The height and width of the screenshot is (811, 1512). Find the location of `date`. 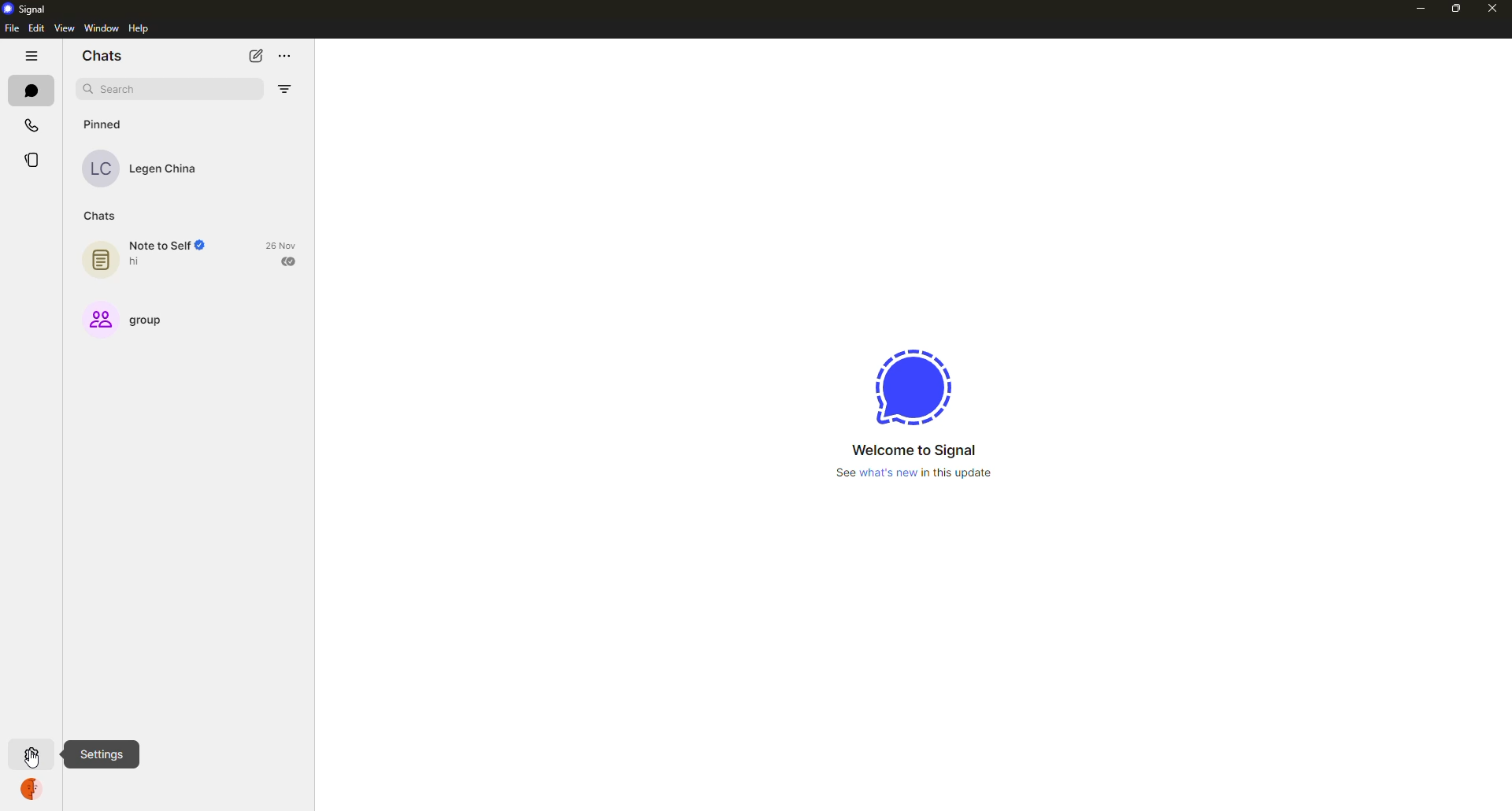

date is located at coordinates (283, 244).